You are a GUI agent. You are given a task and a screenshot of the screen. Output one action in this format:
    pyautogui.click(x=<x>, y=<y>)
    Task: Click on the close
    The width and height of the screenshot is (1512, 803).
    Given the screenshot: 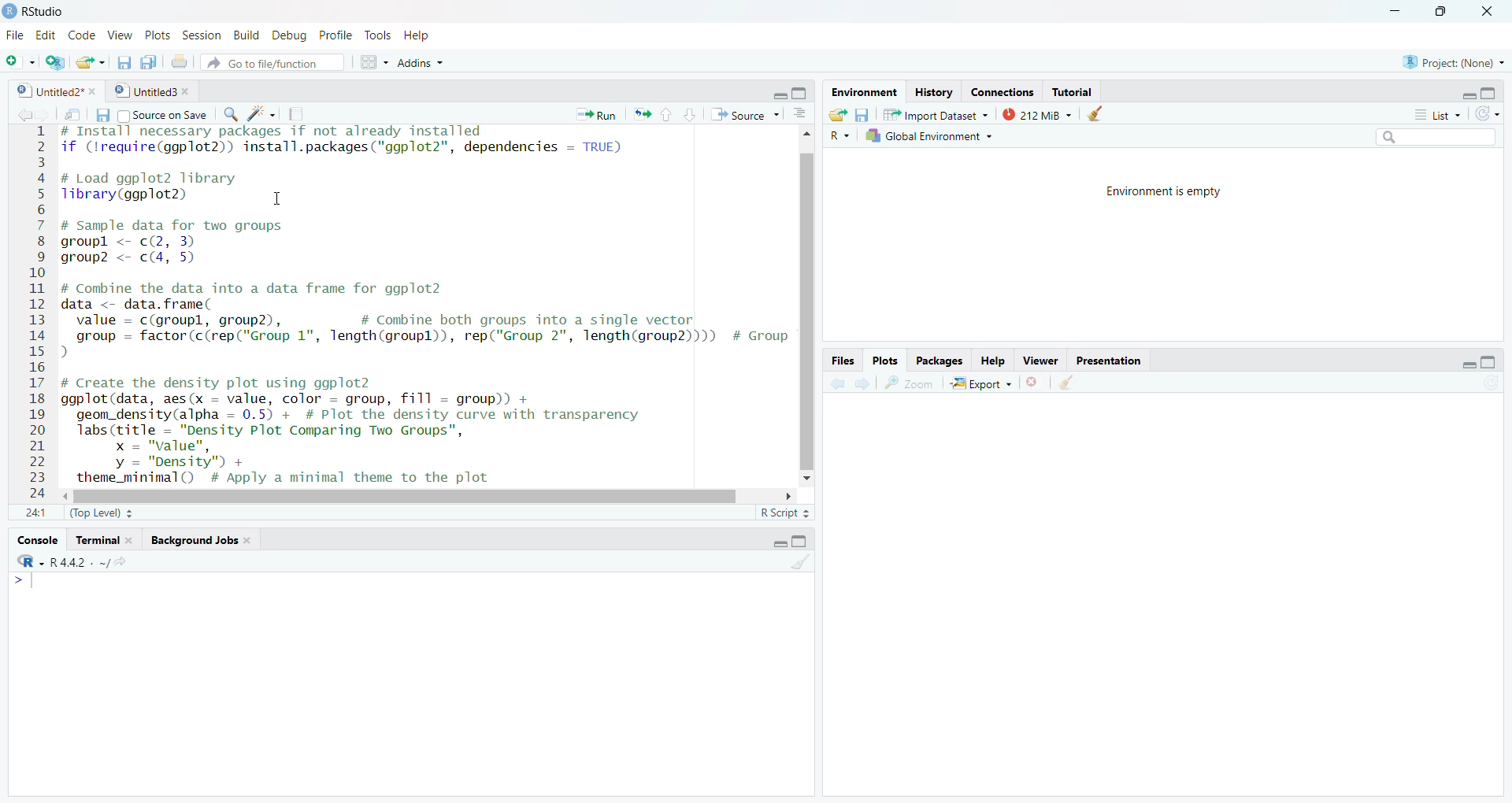 What is the action you would take?
    pyautogui.click(x=1489, y=12)
    